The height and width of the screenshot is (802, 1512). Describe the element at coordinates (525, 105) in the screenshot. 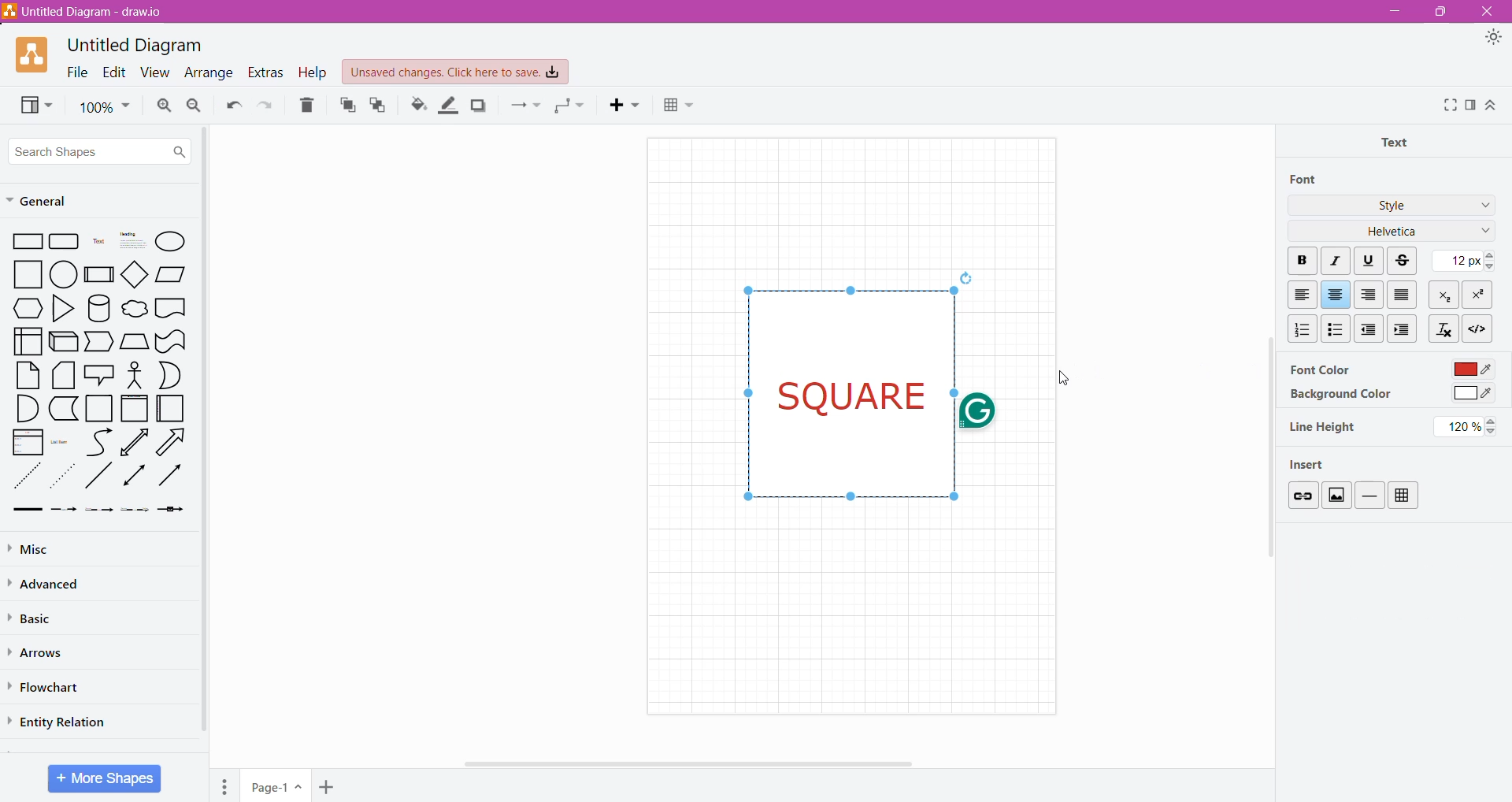

I see `Connection` at that location.